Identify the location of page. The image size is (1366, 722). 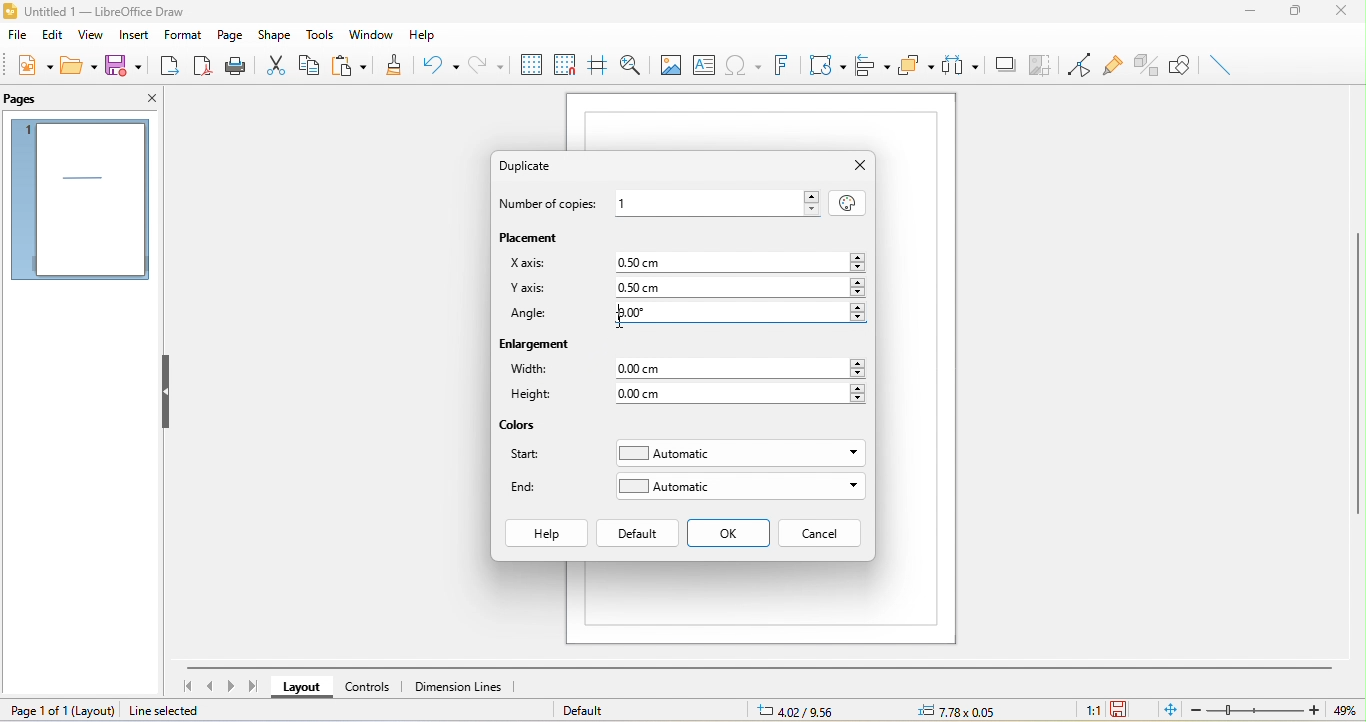
(231, 33).